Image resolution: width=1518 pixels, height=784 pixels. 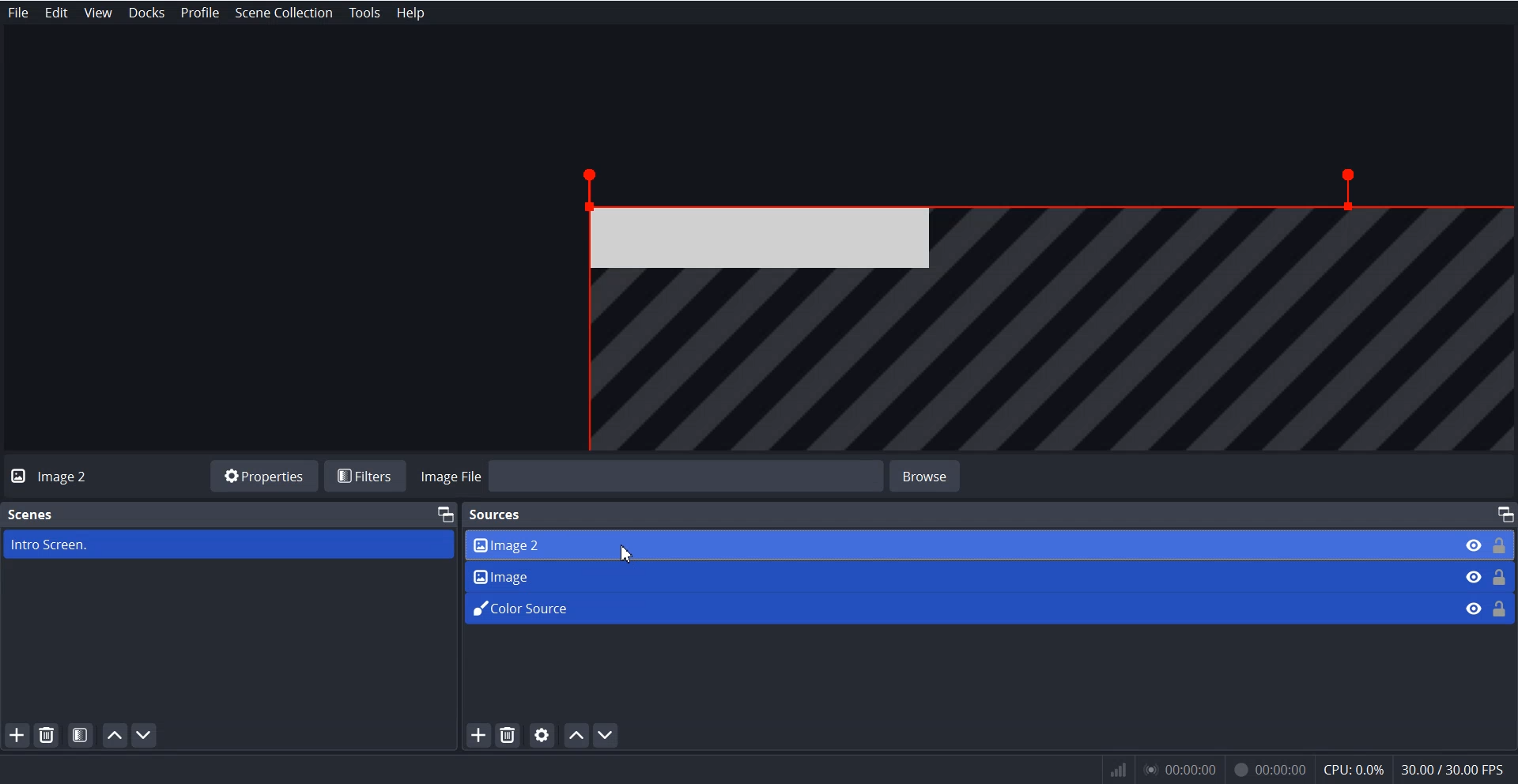 I want to click on Image File Browse, so click(x=648, y=477).